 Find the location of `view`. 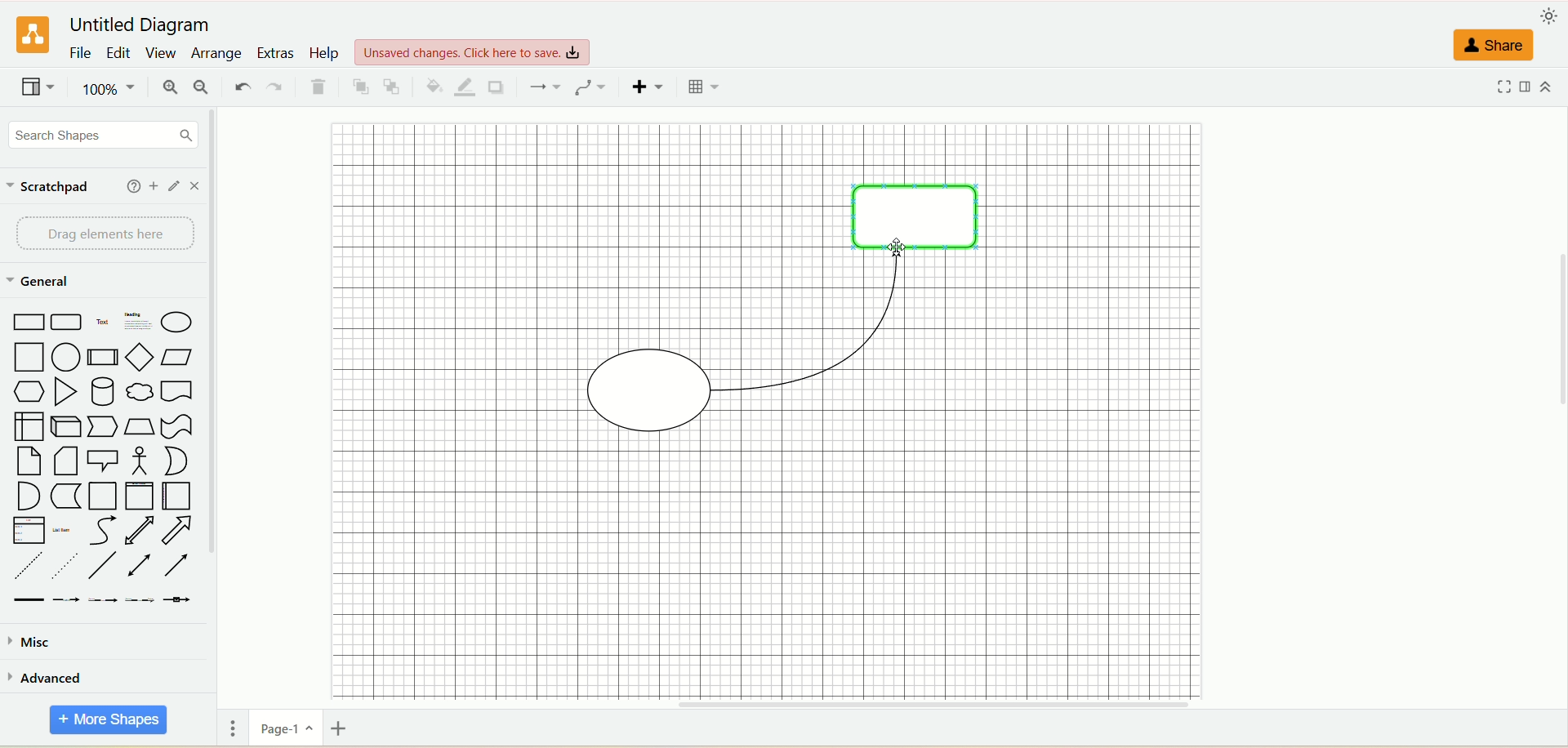

view is located at coordinates (38, 89).